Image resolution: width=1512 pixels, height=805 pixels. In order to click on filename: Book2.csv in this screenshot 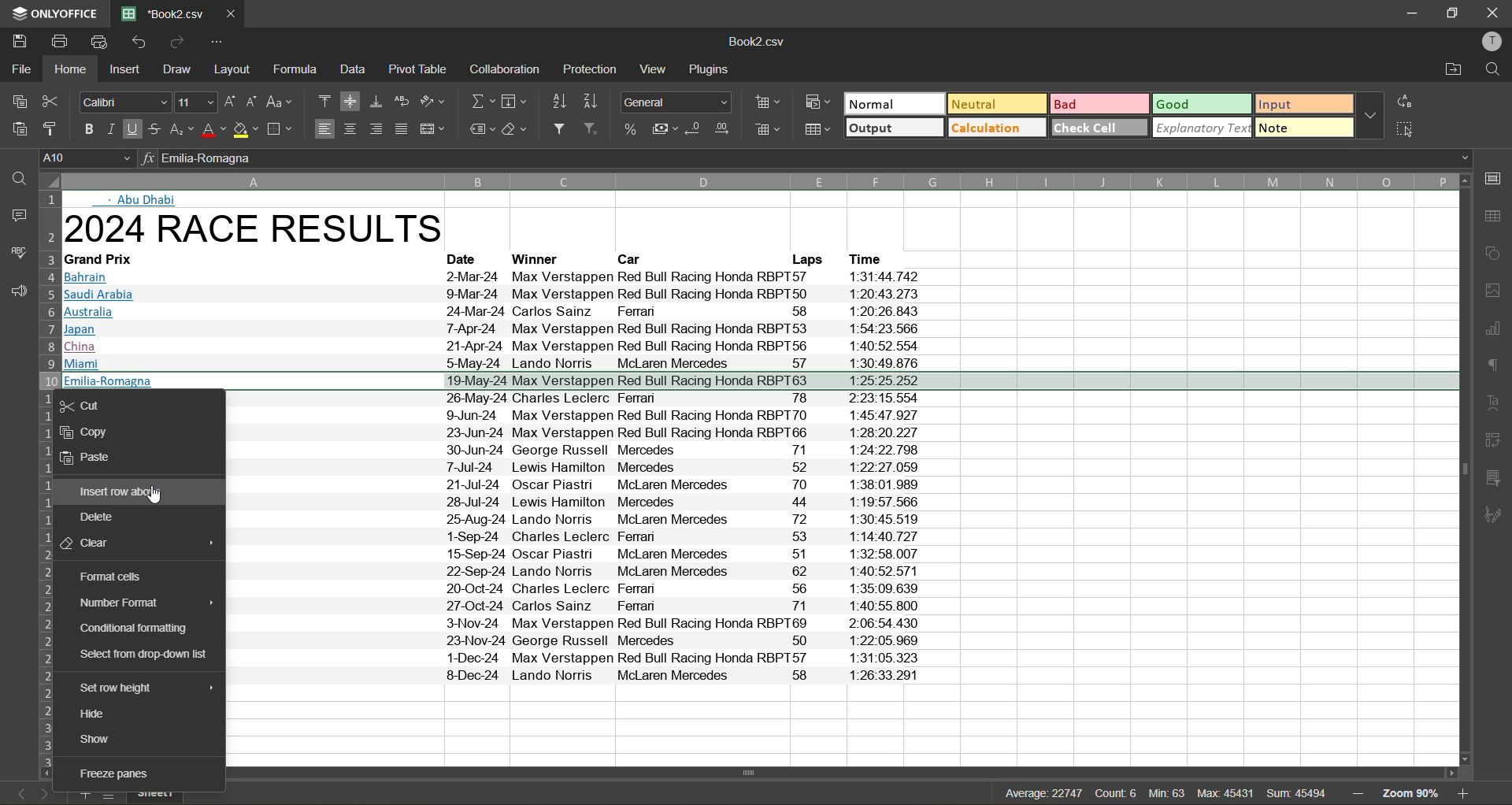, I will do `click(165, 14)`.